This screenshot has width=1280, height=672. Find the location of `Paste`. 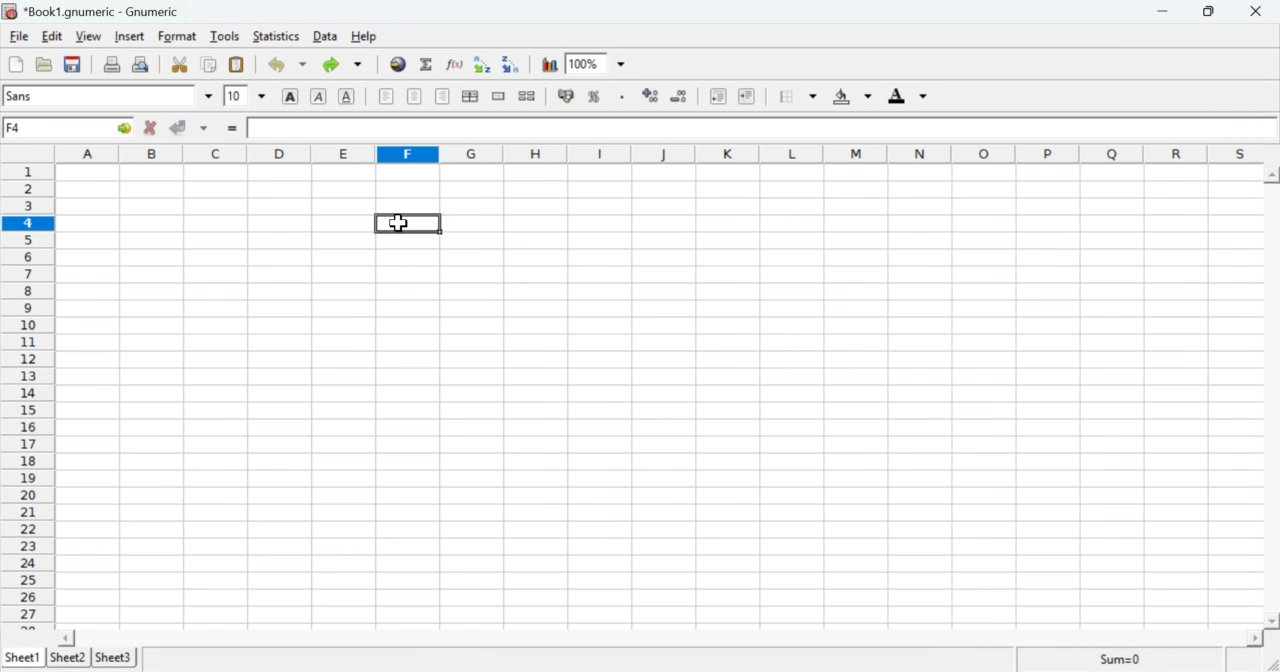

Paste is located at coordinates (238, 63).